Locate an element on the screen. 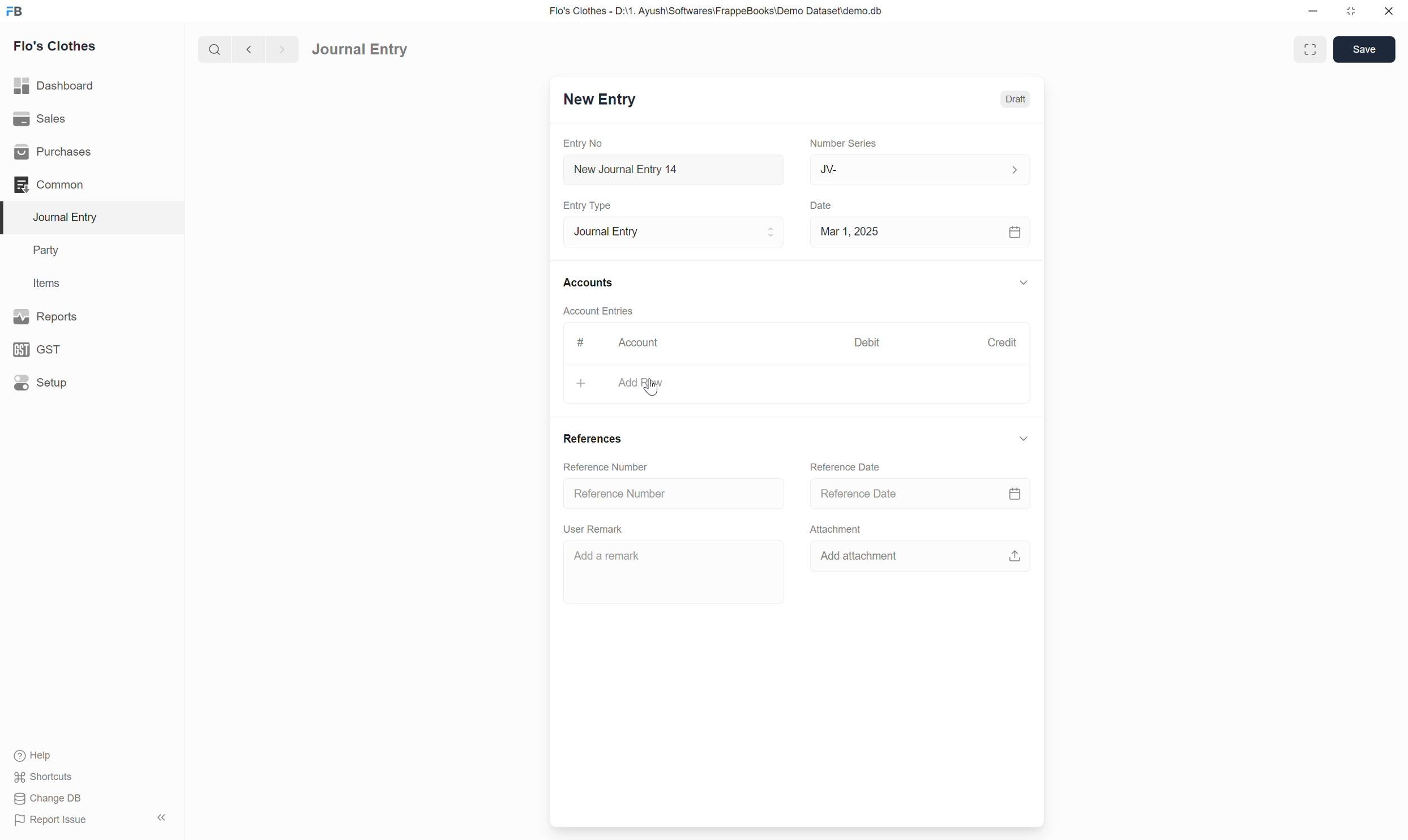 The width and height of the screenshot is (1408, 840). upload is located at coordinates (1015, 554).